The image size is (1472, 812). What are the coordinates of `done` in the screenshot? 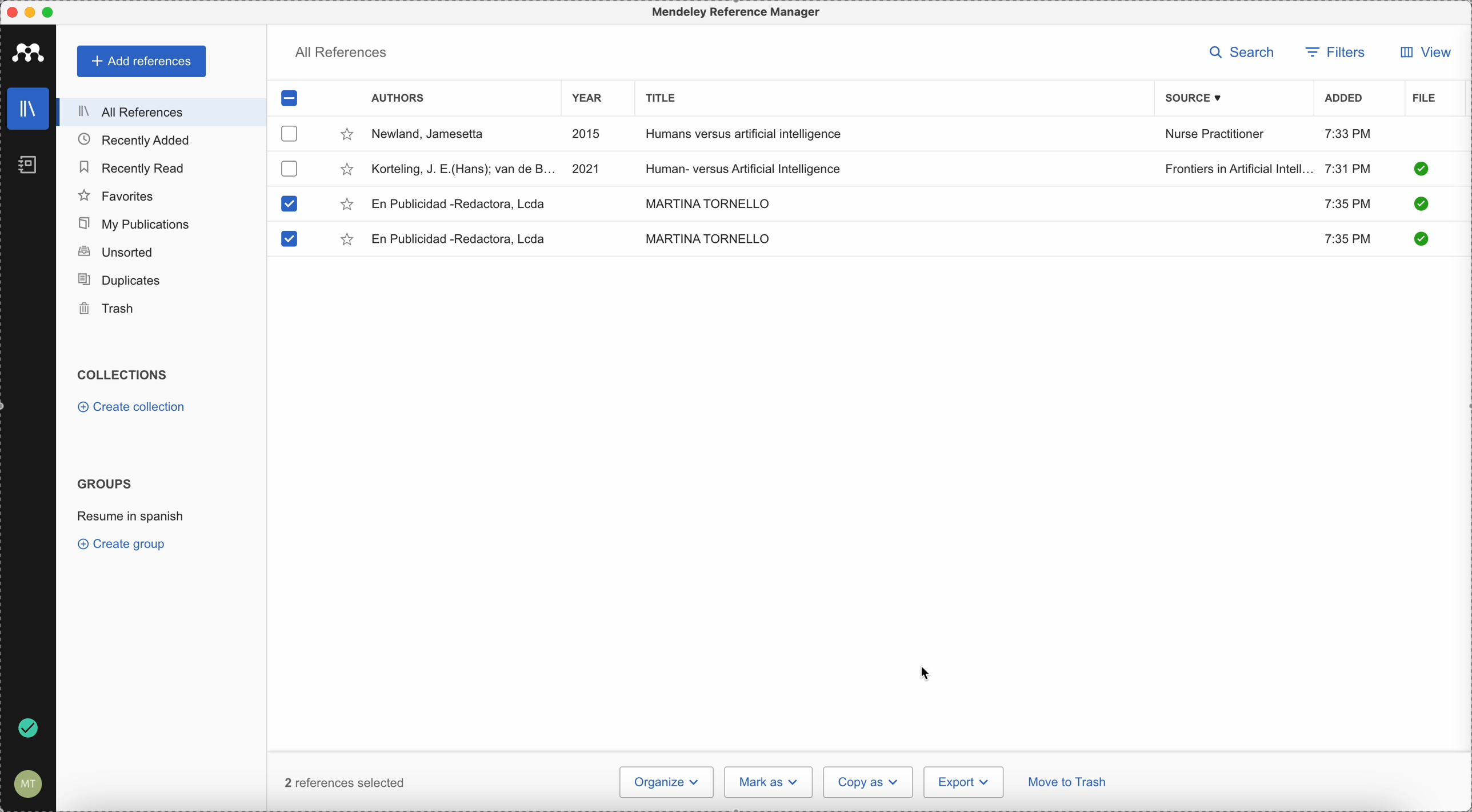 It's located at (27, 729).